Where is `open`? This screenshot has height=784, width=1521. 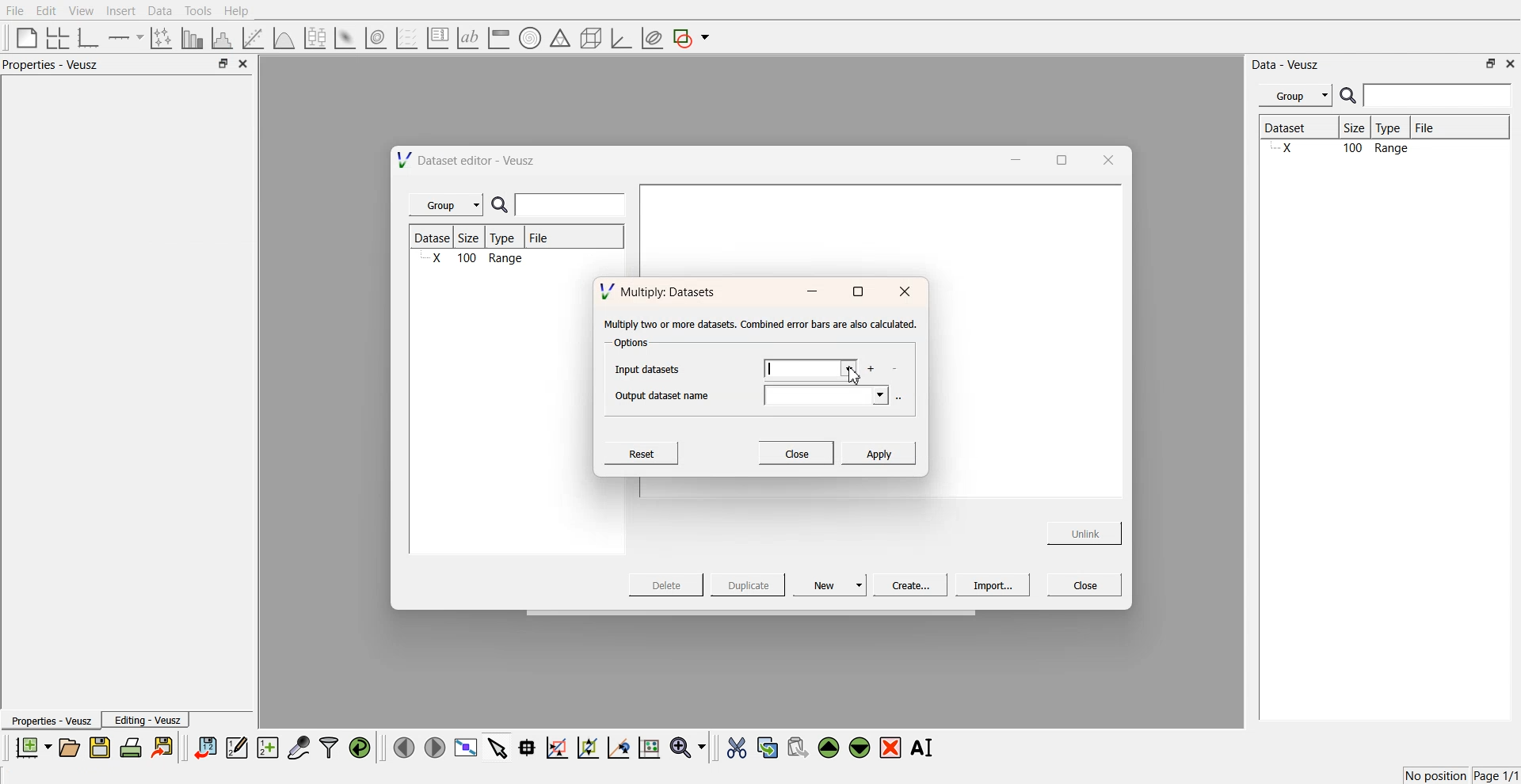
open is located at coordinates (69, 748).